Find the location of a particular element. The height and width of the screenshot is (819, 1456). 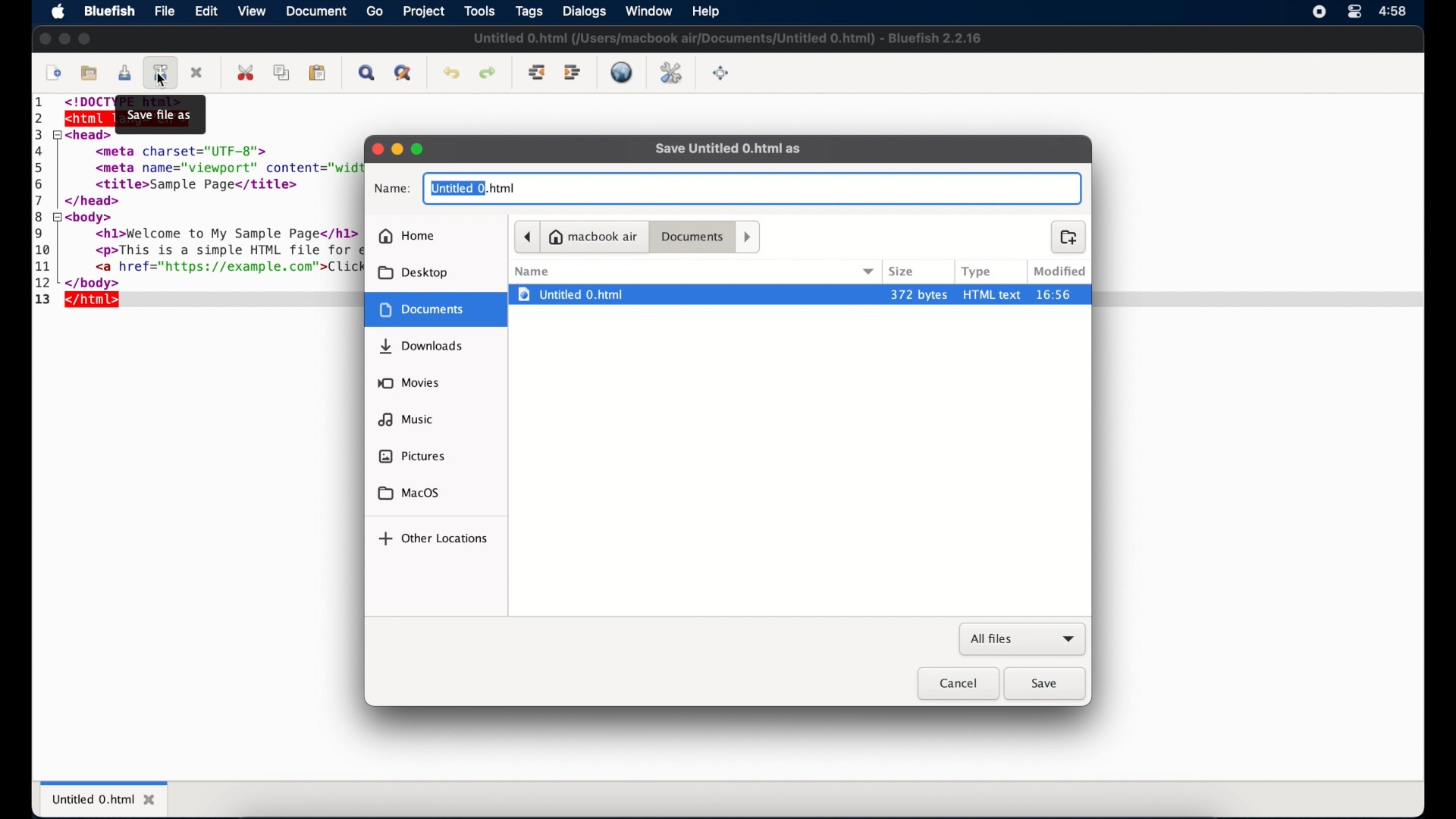

movies is located at coordinates (409, 383).